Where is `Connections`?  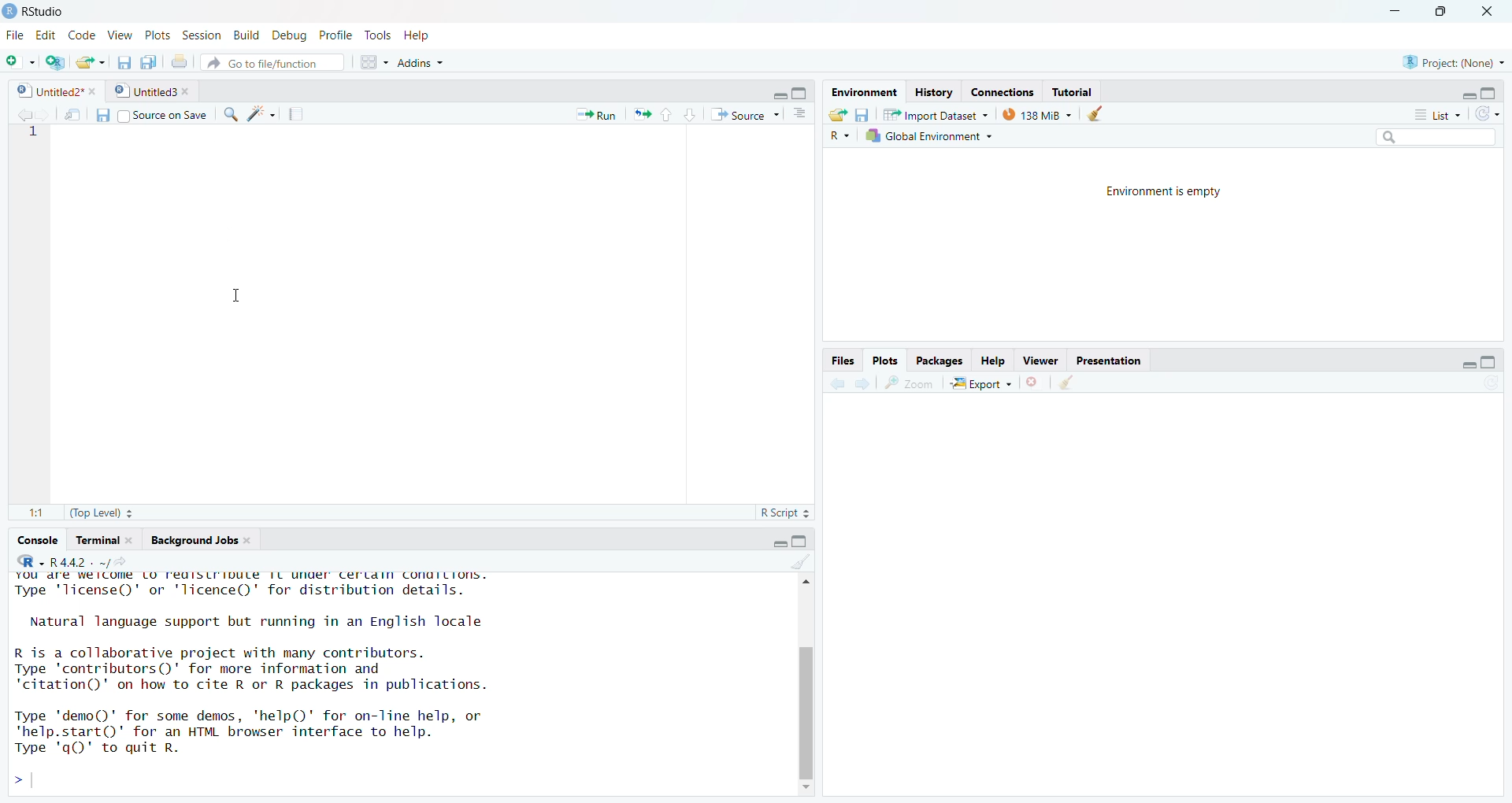 Connections is located at coordinates (999, 92).